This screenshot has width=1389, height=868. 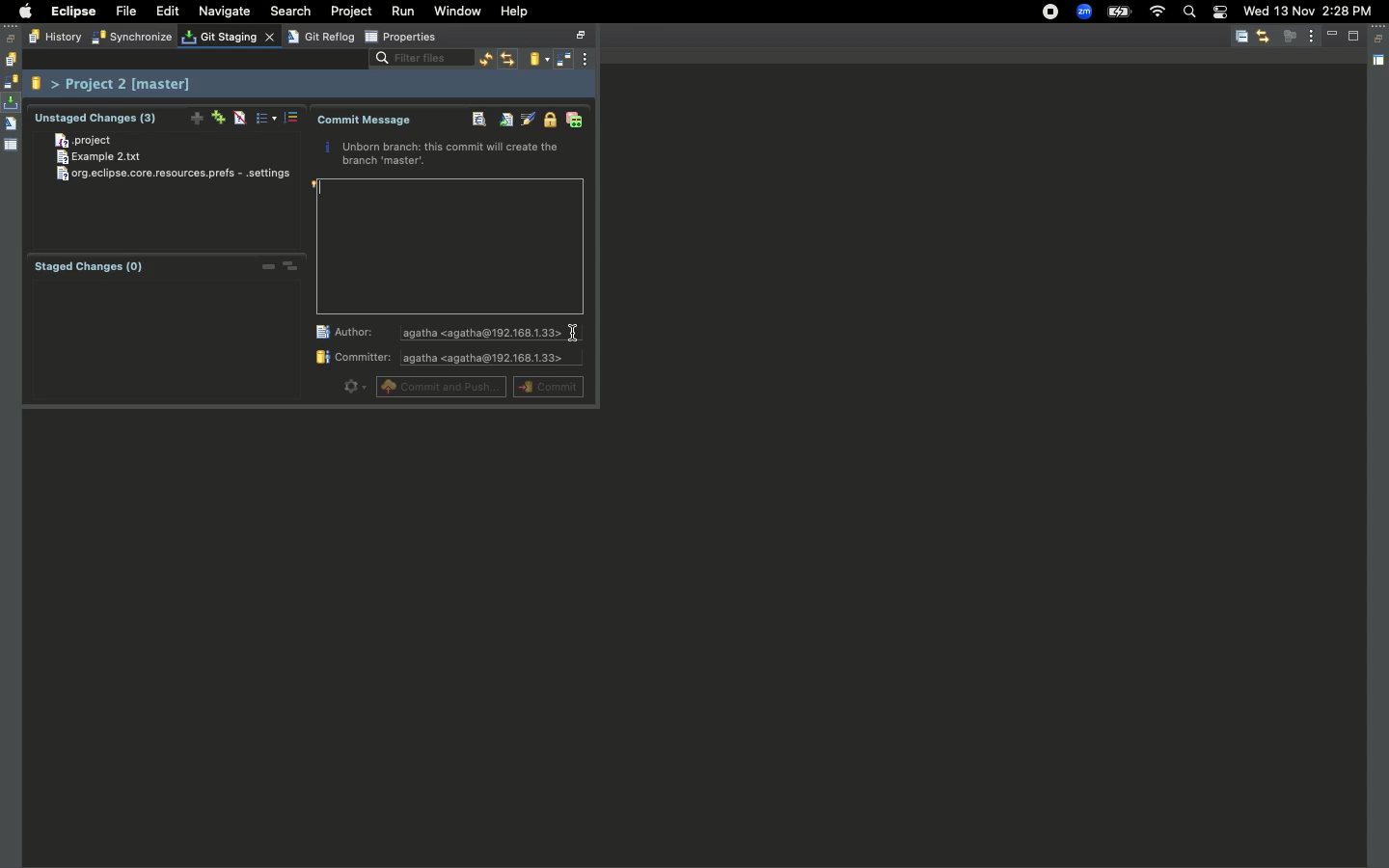 I want to click on Project, so click(x=86, y=142).